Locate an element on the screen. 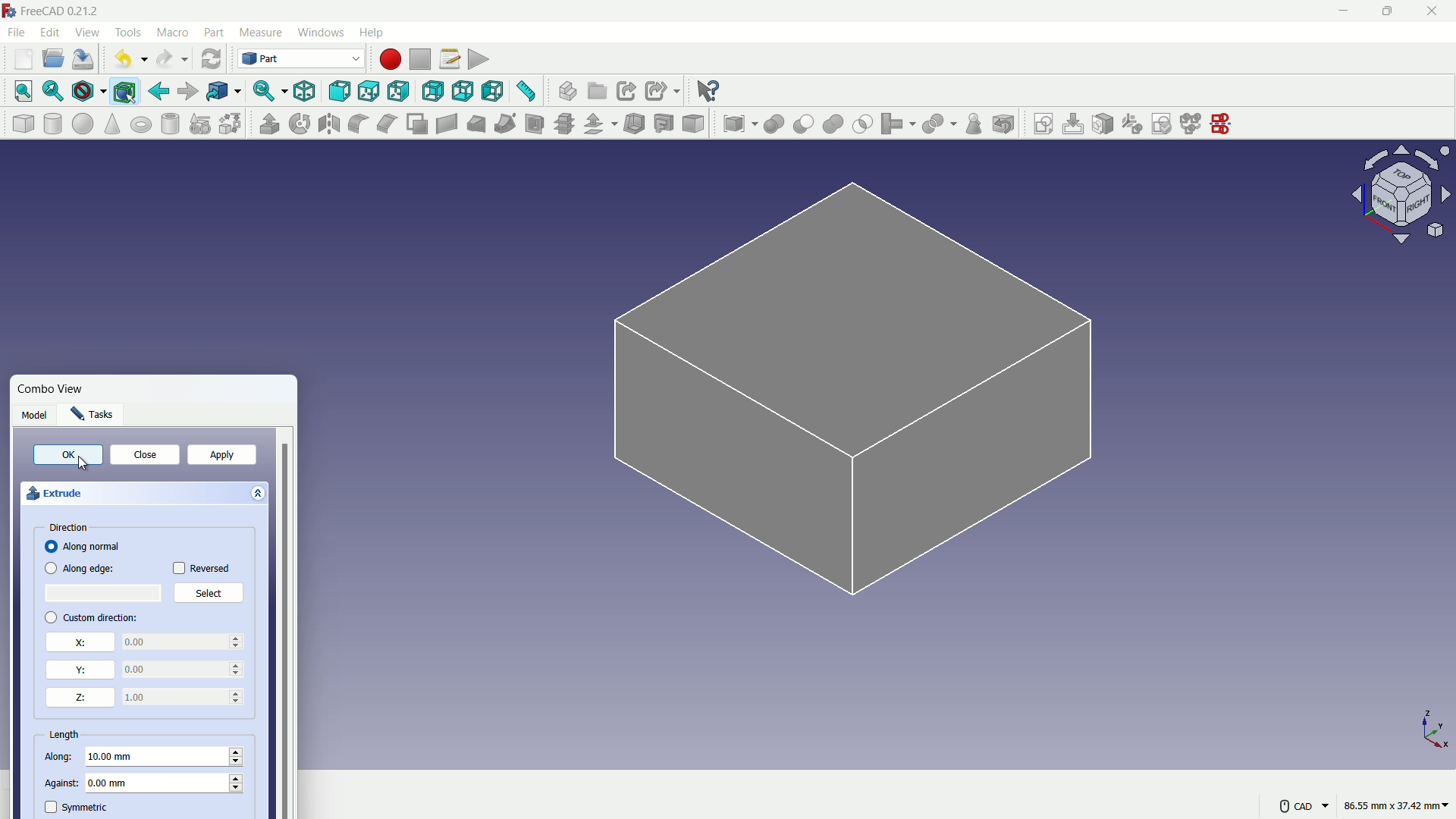  Select is located at coordinates (209, 593).